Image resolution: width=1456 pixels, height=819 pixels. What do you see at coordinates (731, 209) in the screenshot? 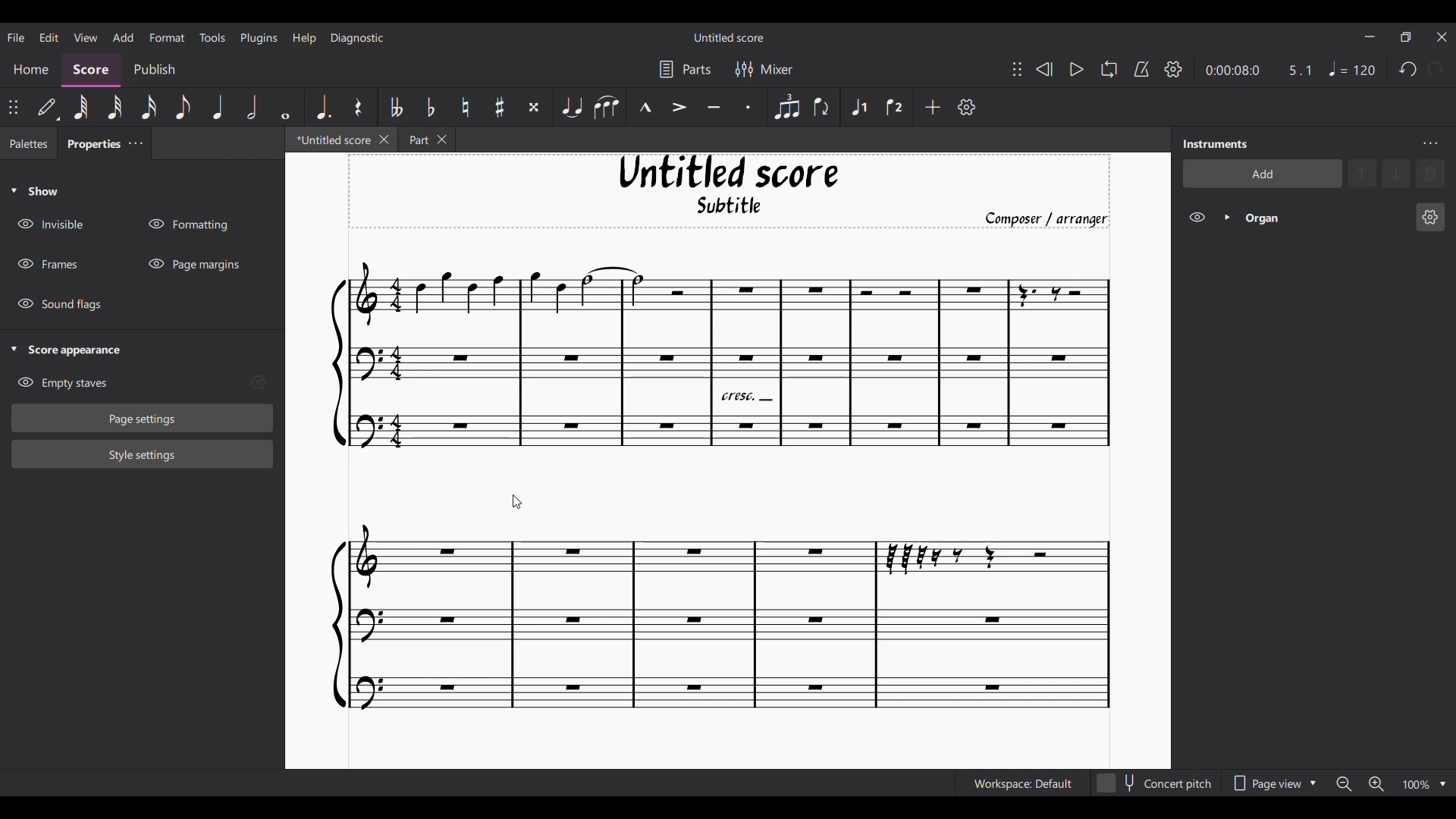
I see `Subtitle` at bounding box center [731, 209].